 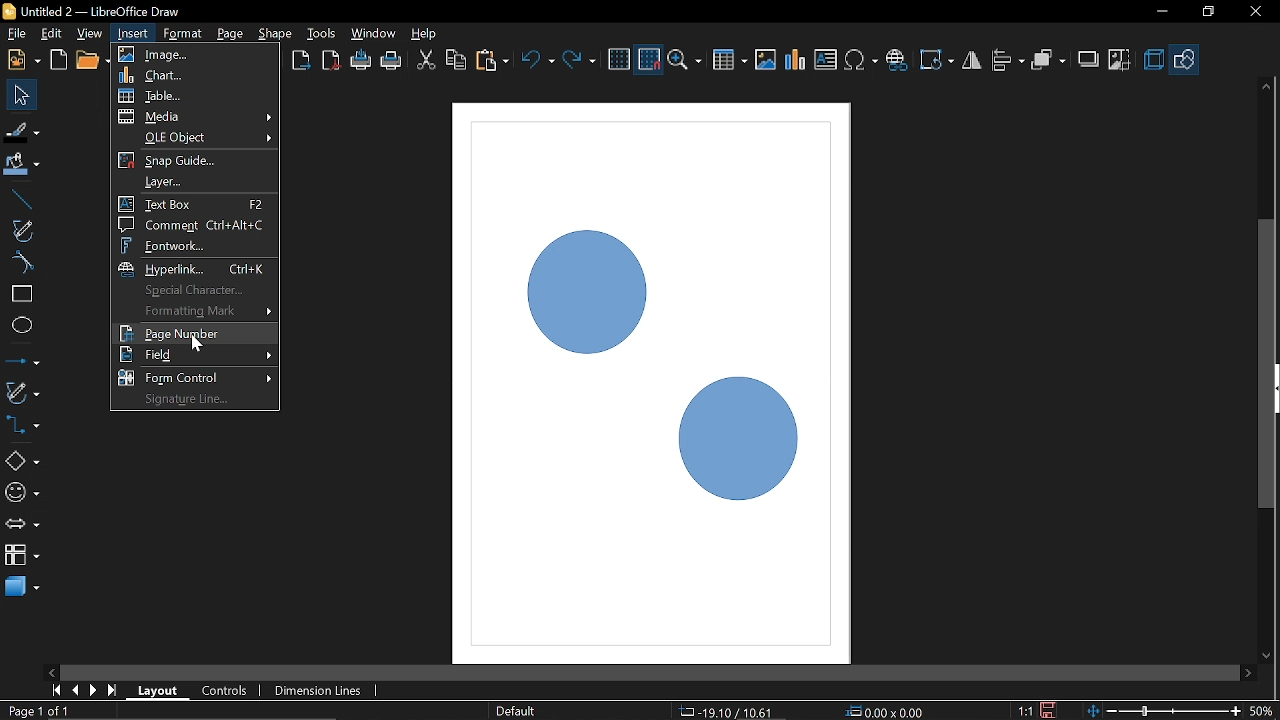 What do you see at coordinates (1159, 13) in the screenshot?
I see `Minimize` at bounding box center [1159, 13].